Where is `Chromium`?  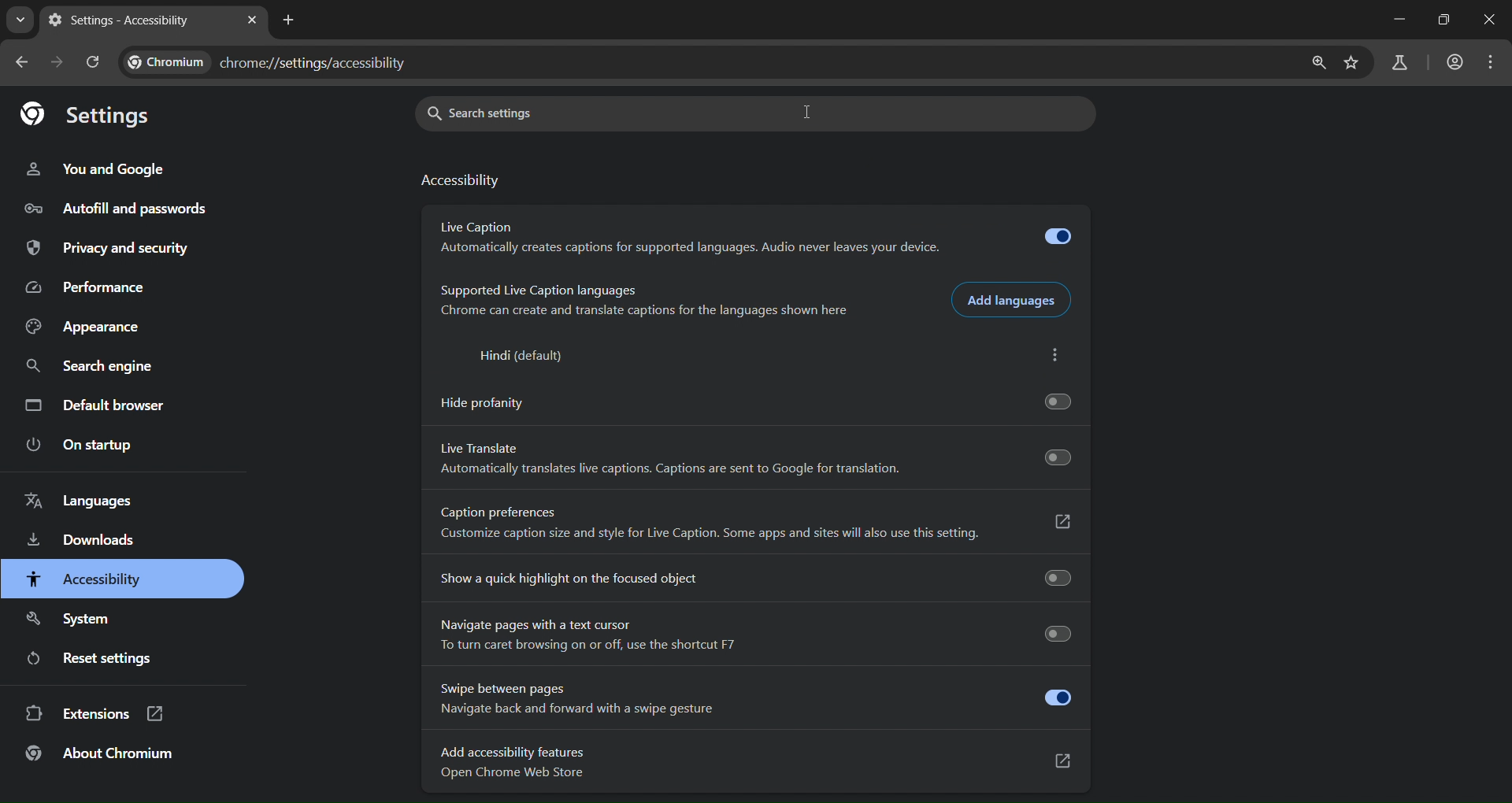
Chromium is located at coordinates (169, 62).